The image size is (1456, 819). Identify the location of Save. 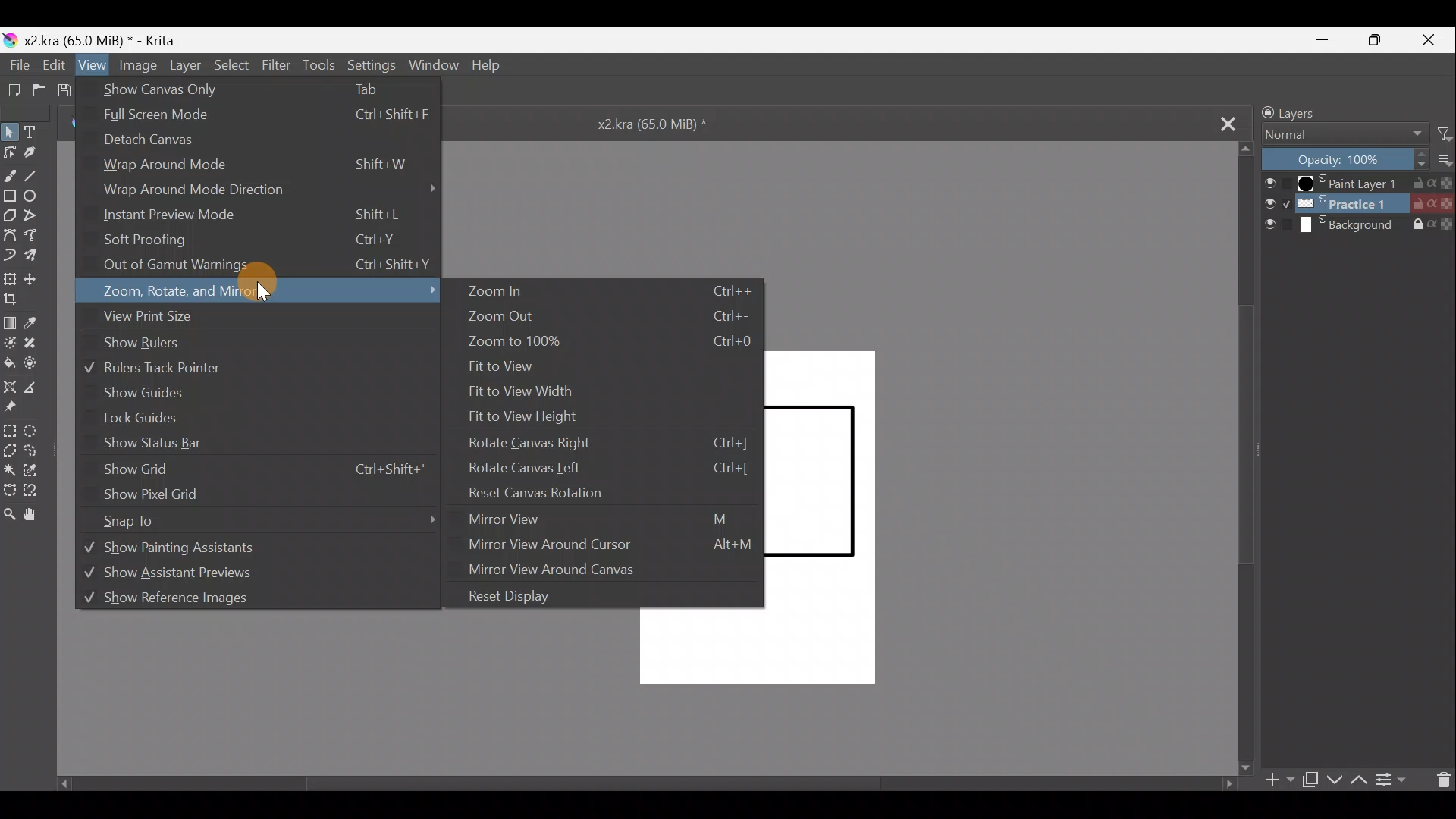
(70, 90).